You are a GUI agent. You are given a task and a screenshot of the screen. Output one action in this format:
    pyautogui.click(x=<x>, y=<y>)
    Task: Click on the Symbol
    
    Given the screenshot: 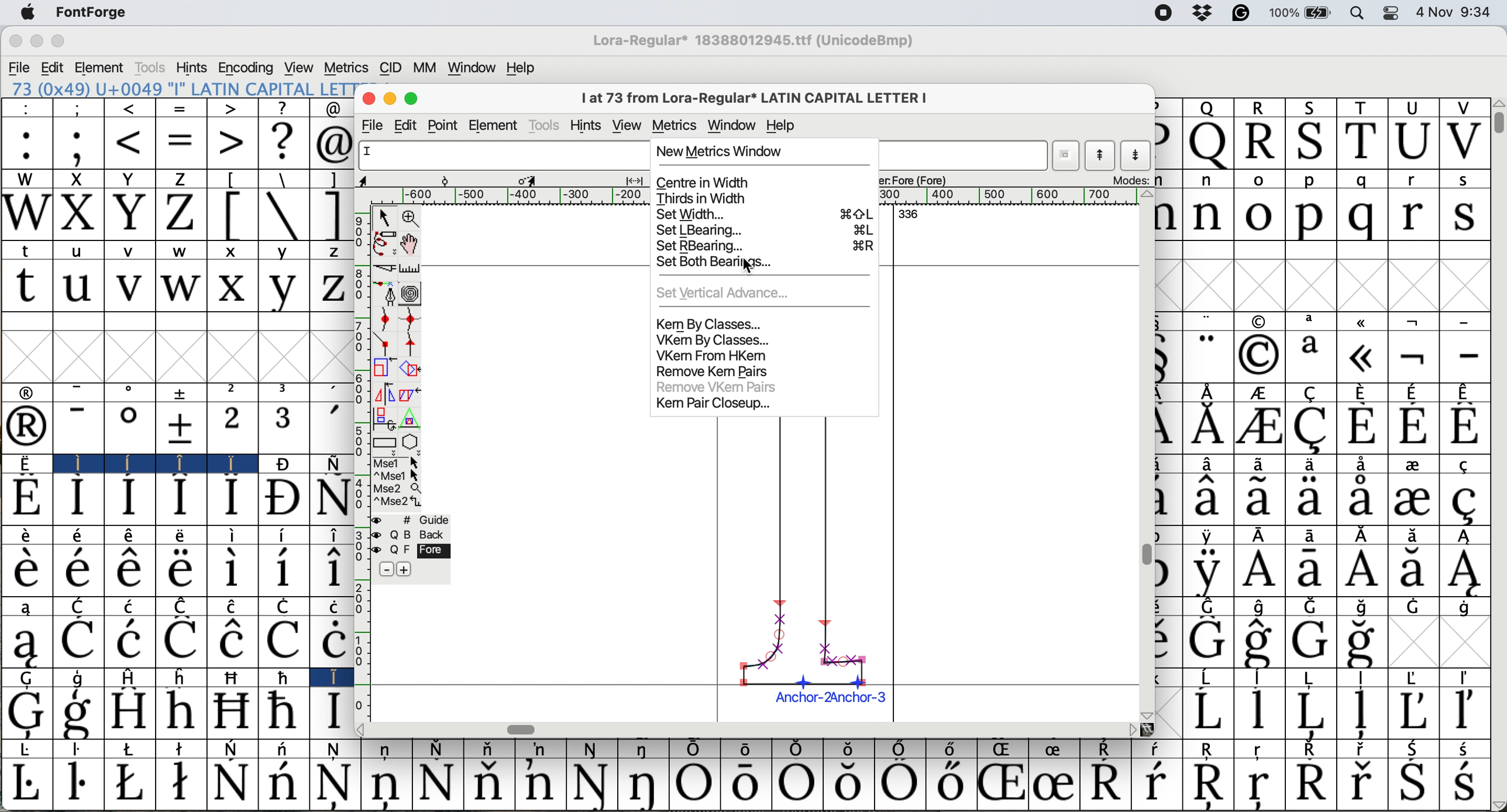 What is the action you would take?
    pyautogui.click(x=27, y=428)
    